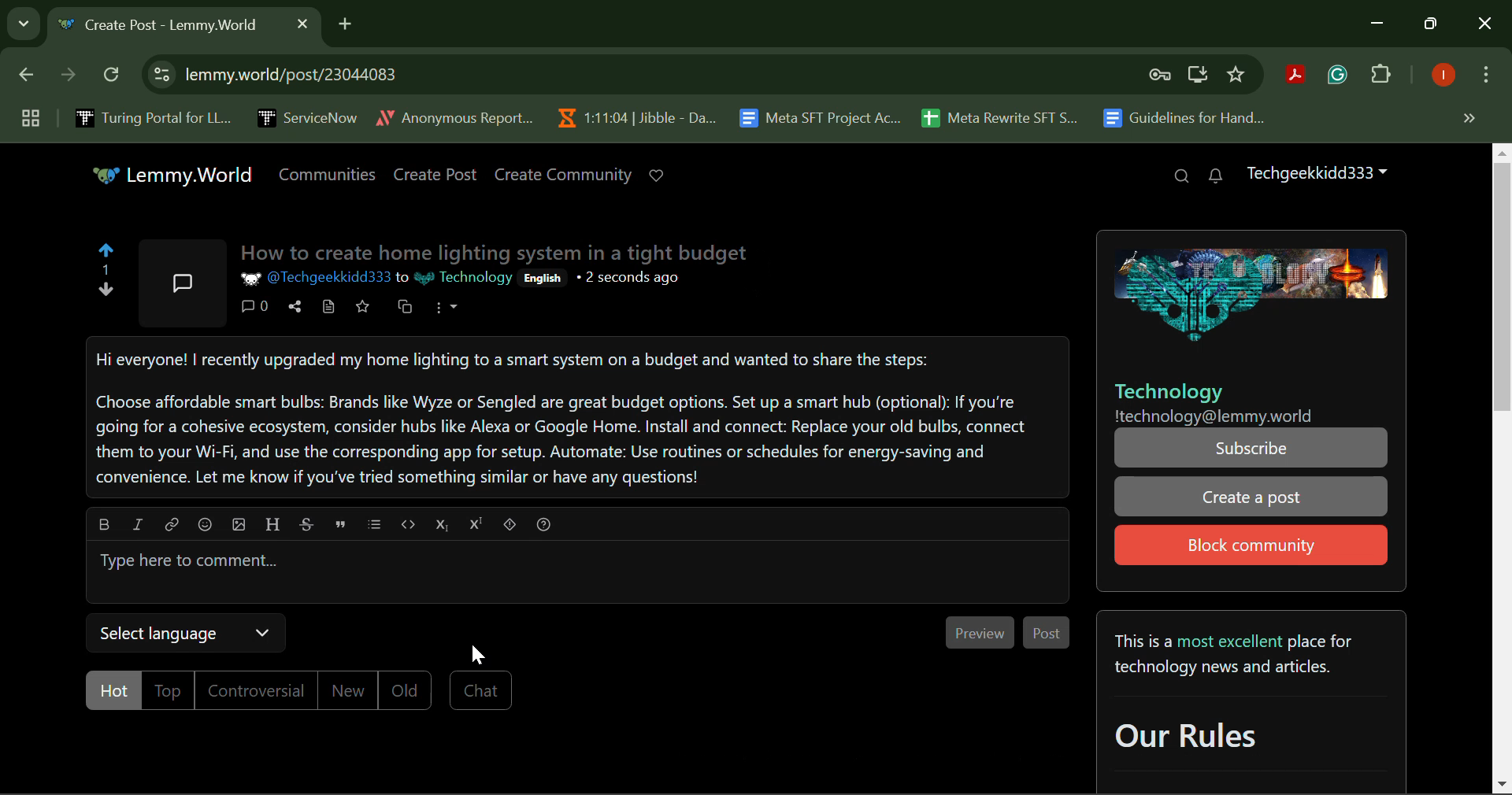 The width and height of the screenshot is (1512, 795). I want to click on Minimize Down, so click(1380, 24).